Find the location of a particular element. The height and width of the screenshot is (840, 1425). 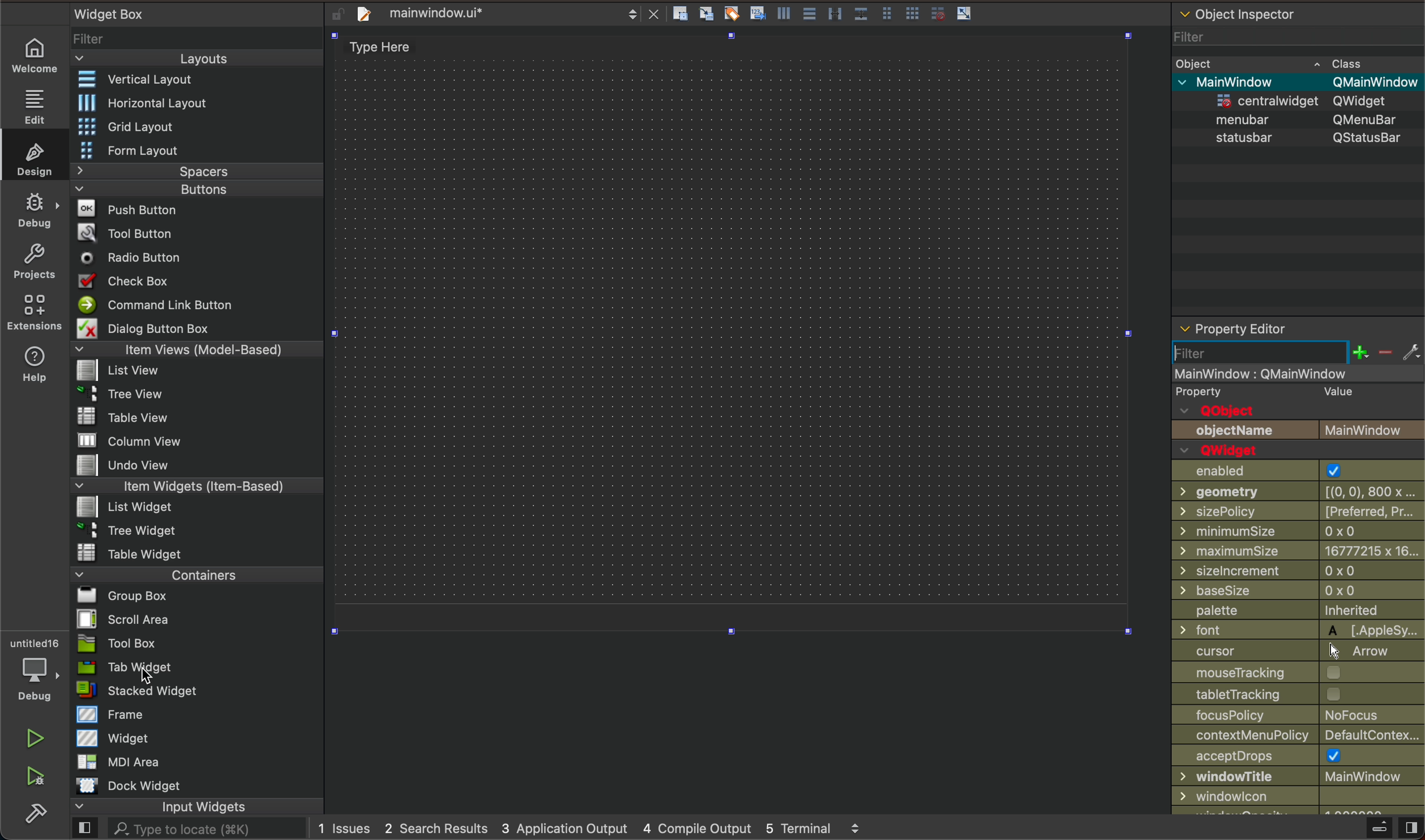

palette is located at coordinates (1299, 610).